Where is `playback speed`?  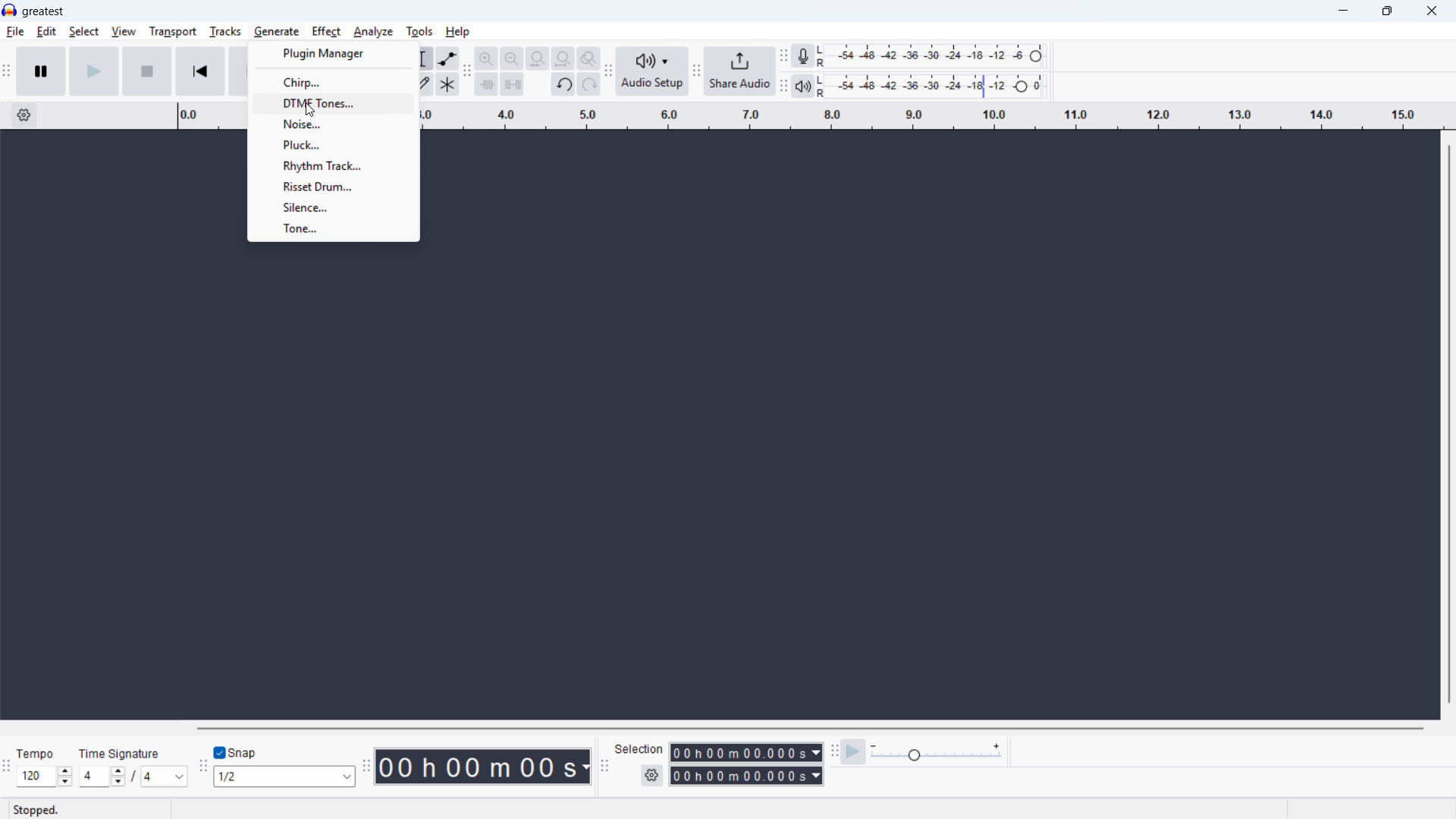
playback speed is located at coordinates (937, 752).